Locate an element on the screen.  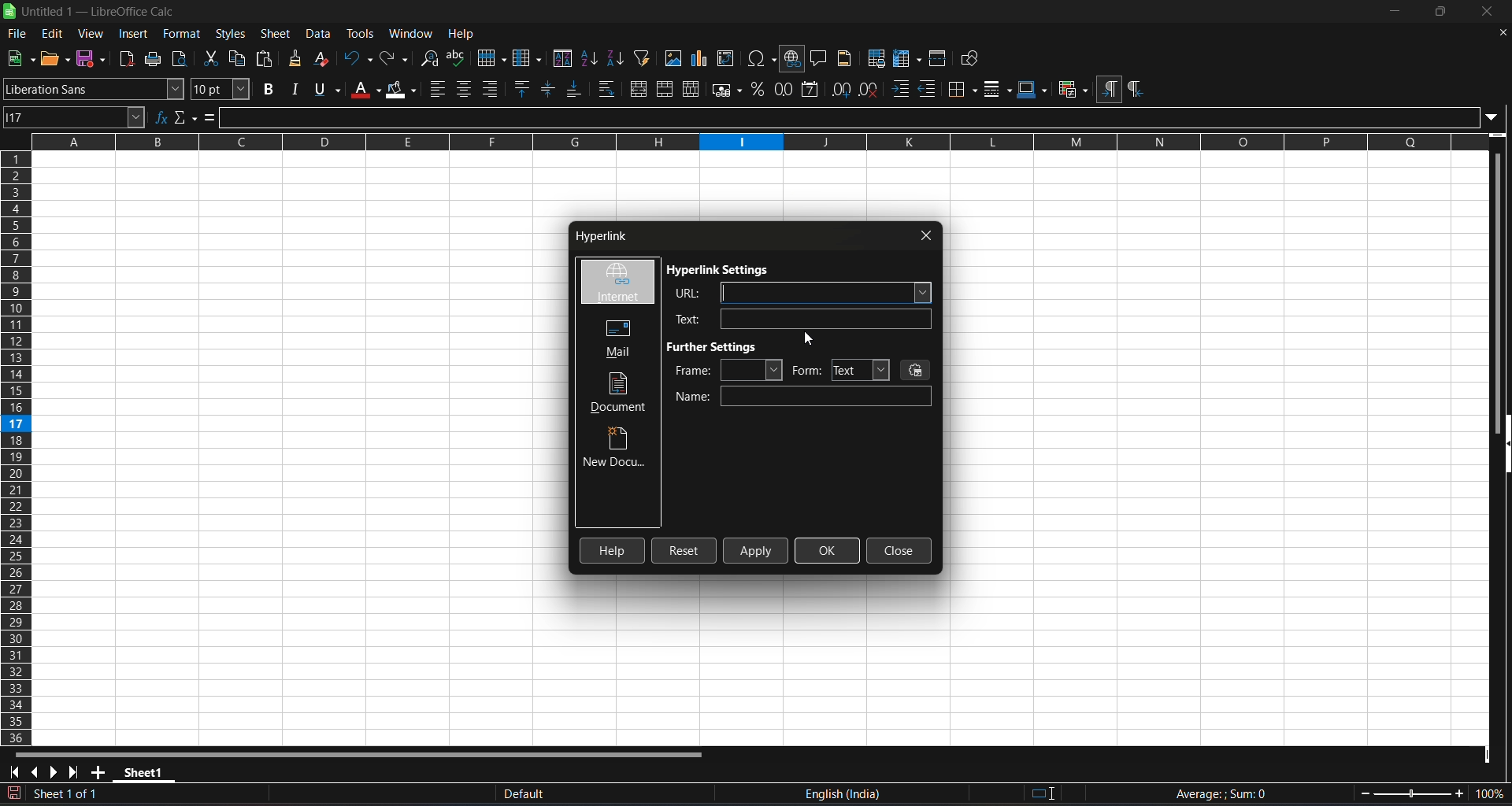
minimize is located at coordinates (1396, 11).